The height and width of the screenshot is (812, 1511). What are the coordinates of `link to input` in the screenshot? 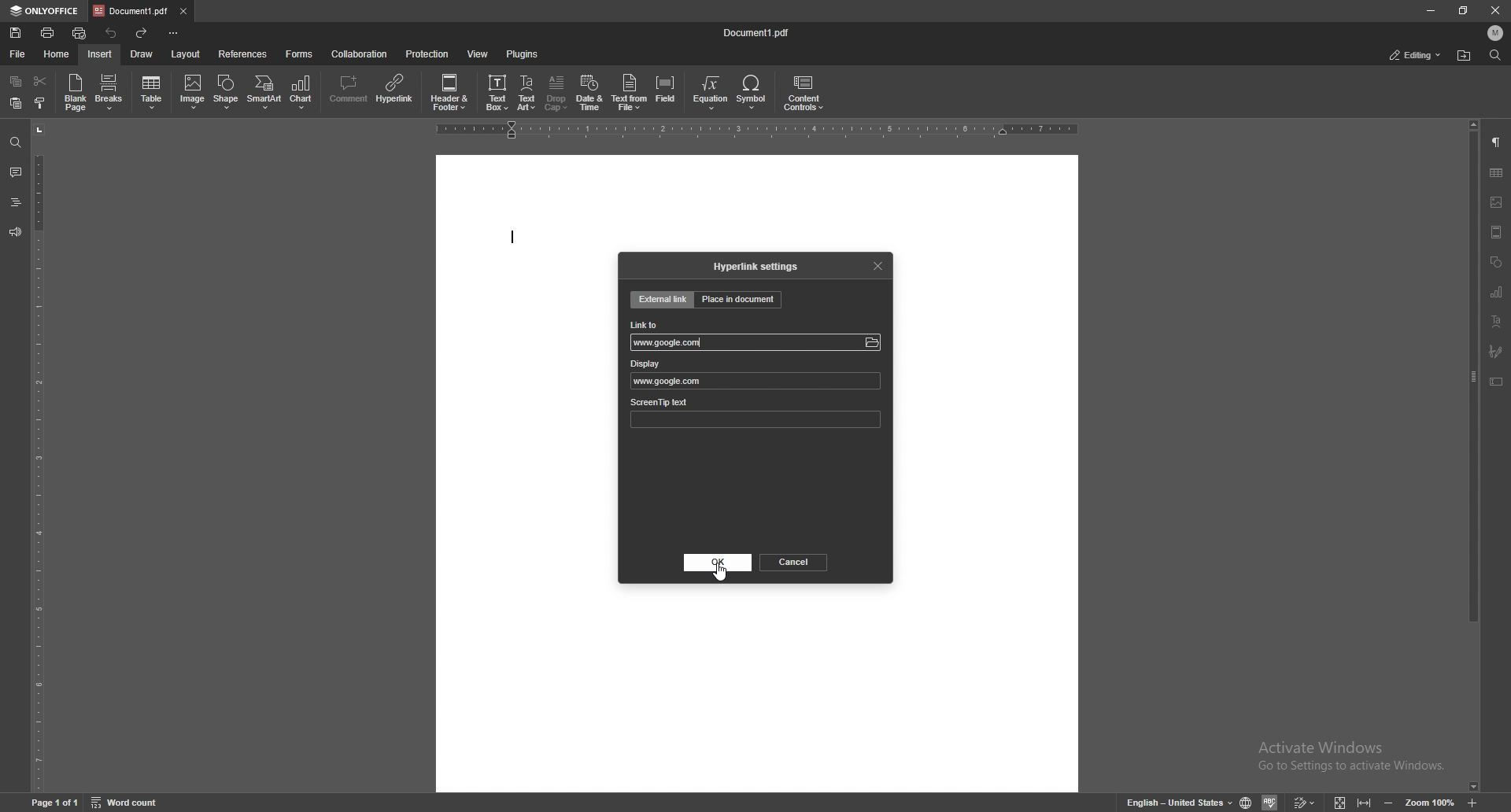 It's located at (672, 343).